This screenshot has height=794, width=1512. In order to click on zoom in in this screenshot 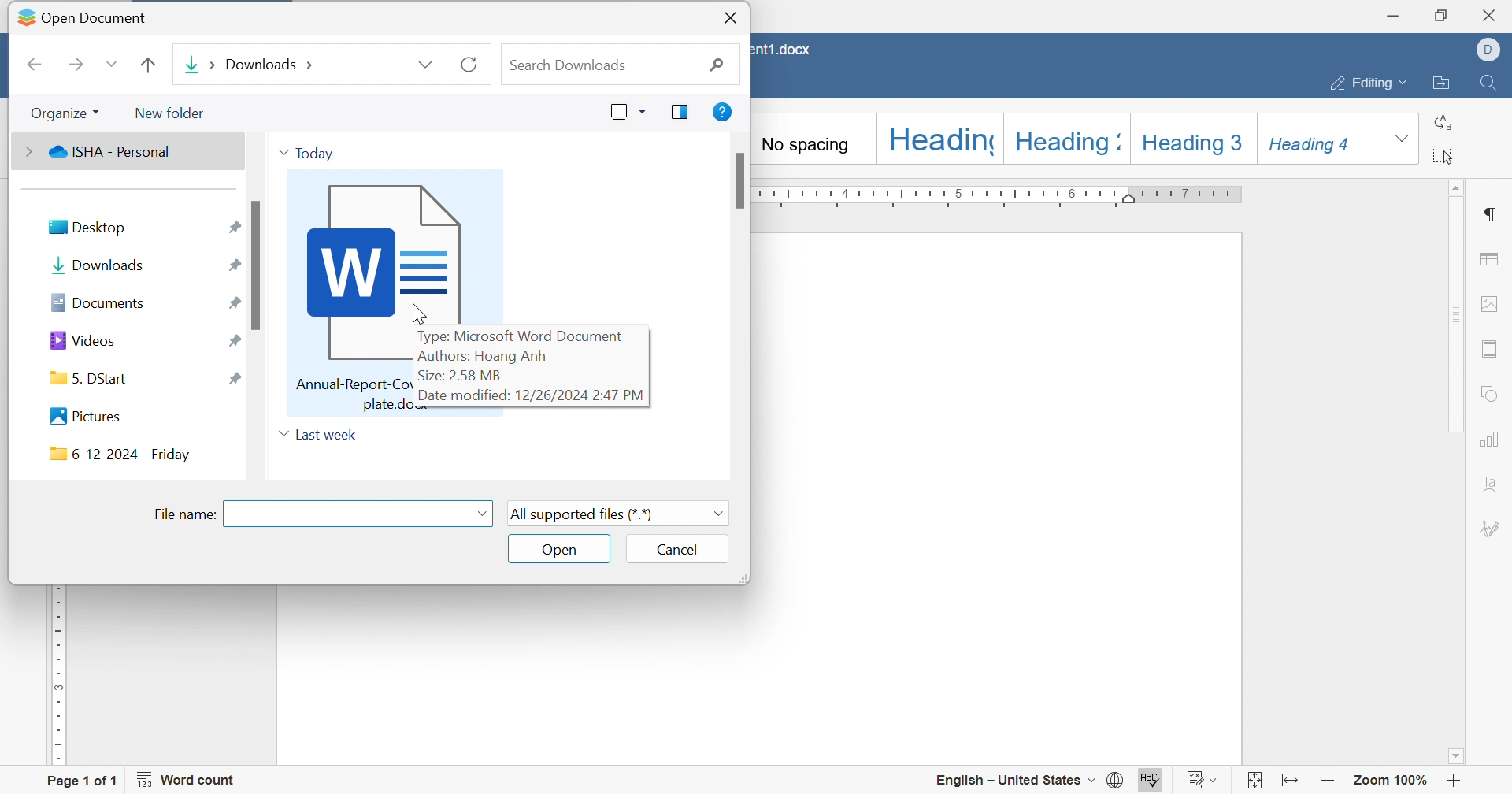, I will do `click(1453, 782)`.